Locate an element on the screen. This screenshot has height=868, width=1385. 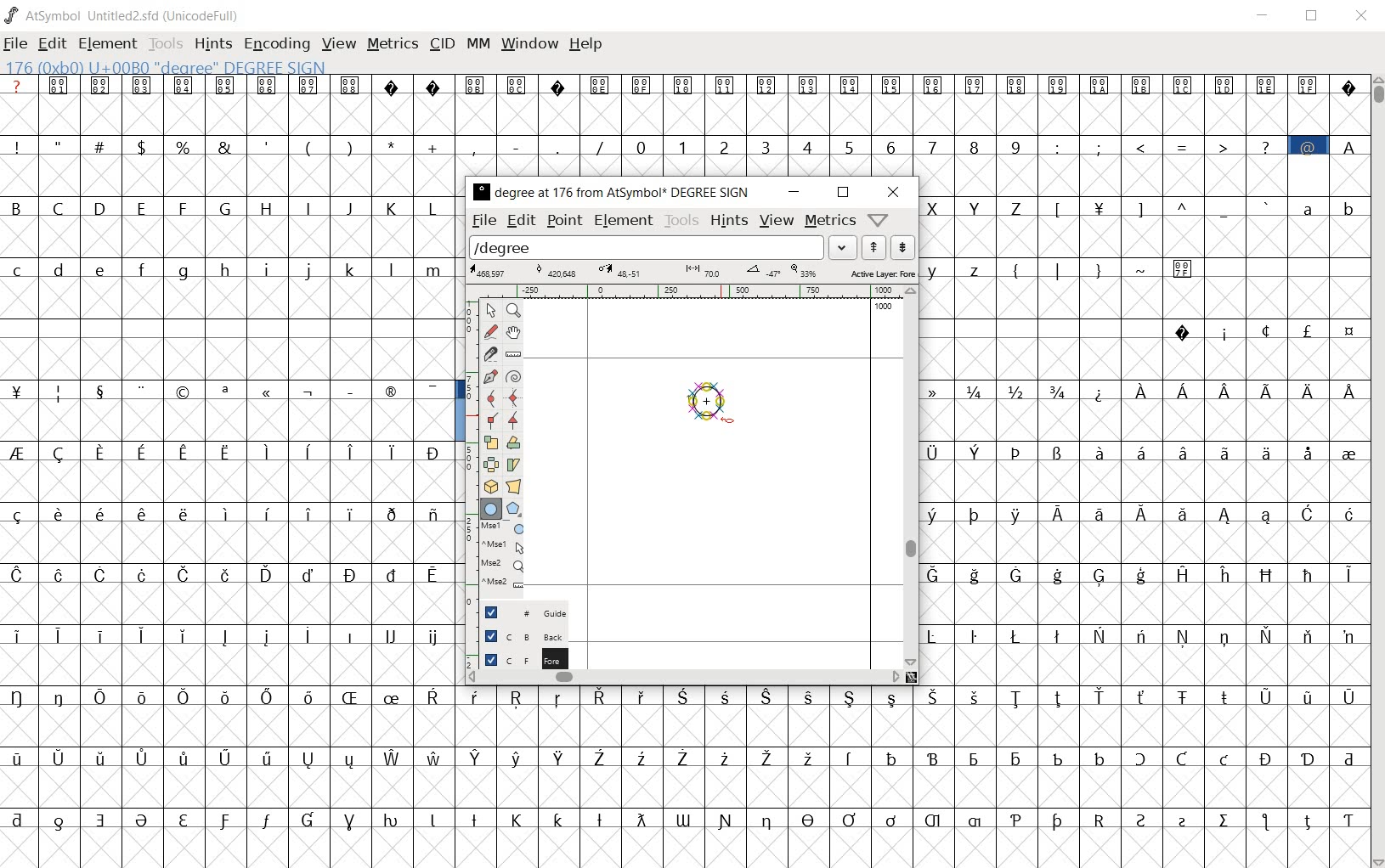
special letters is located at coordinates (227, 695).